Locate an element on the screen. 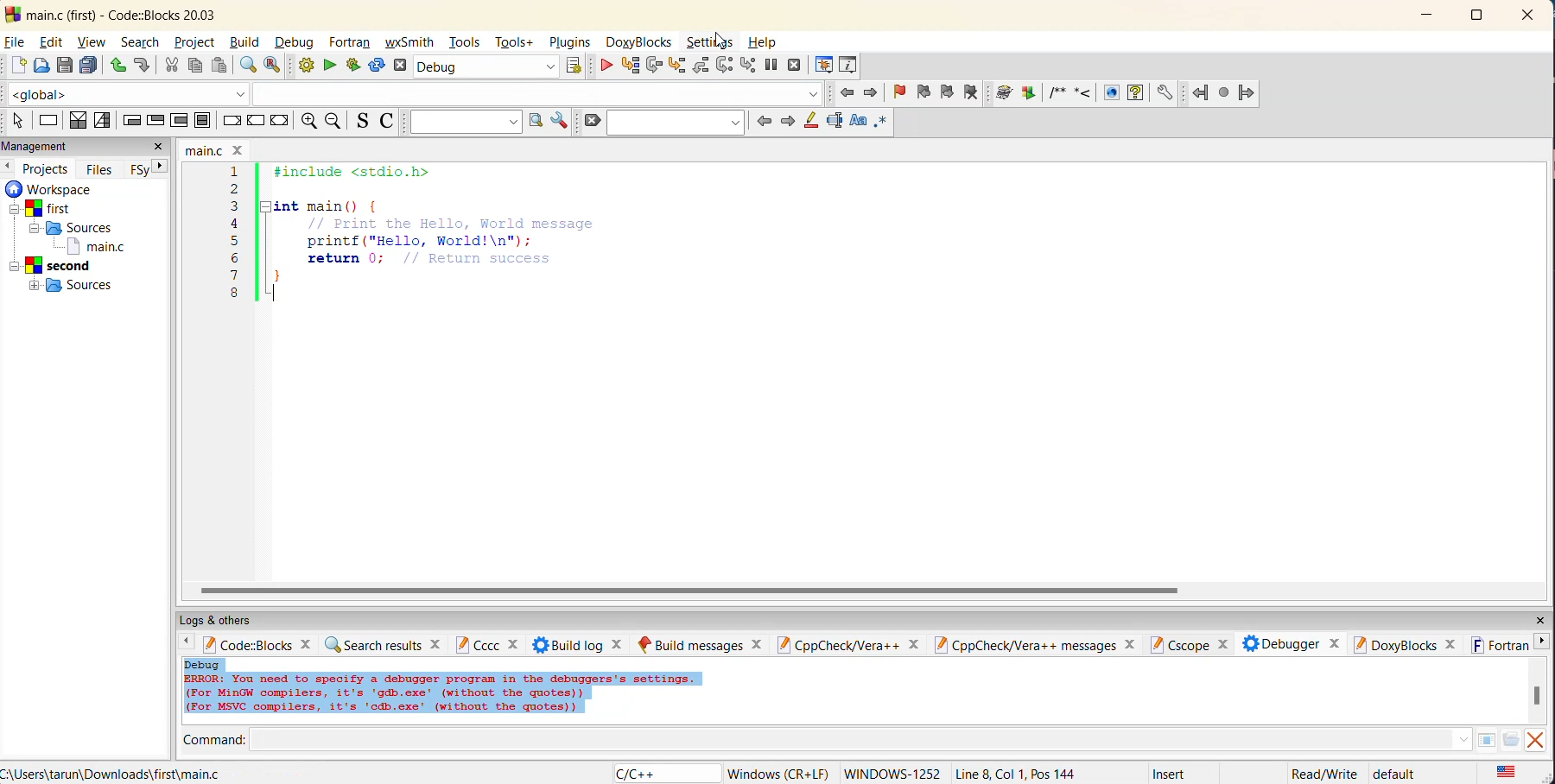 This screenshot has width=1555, height=784. fortran is located at coordinates (352, 42).